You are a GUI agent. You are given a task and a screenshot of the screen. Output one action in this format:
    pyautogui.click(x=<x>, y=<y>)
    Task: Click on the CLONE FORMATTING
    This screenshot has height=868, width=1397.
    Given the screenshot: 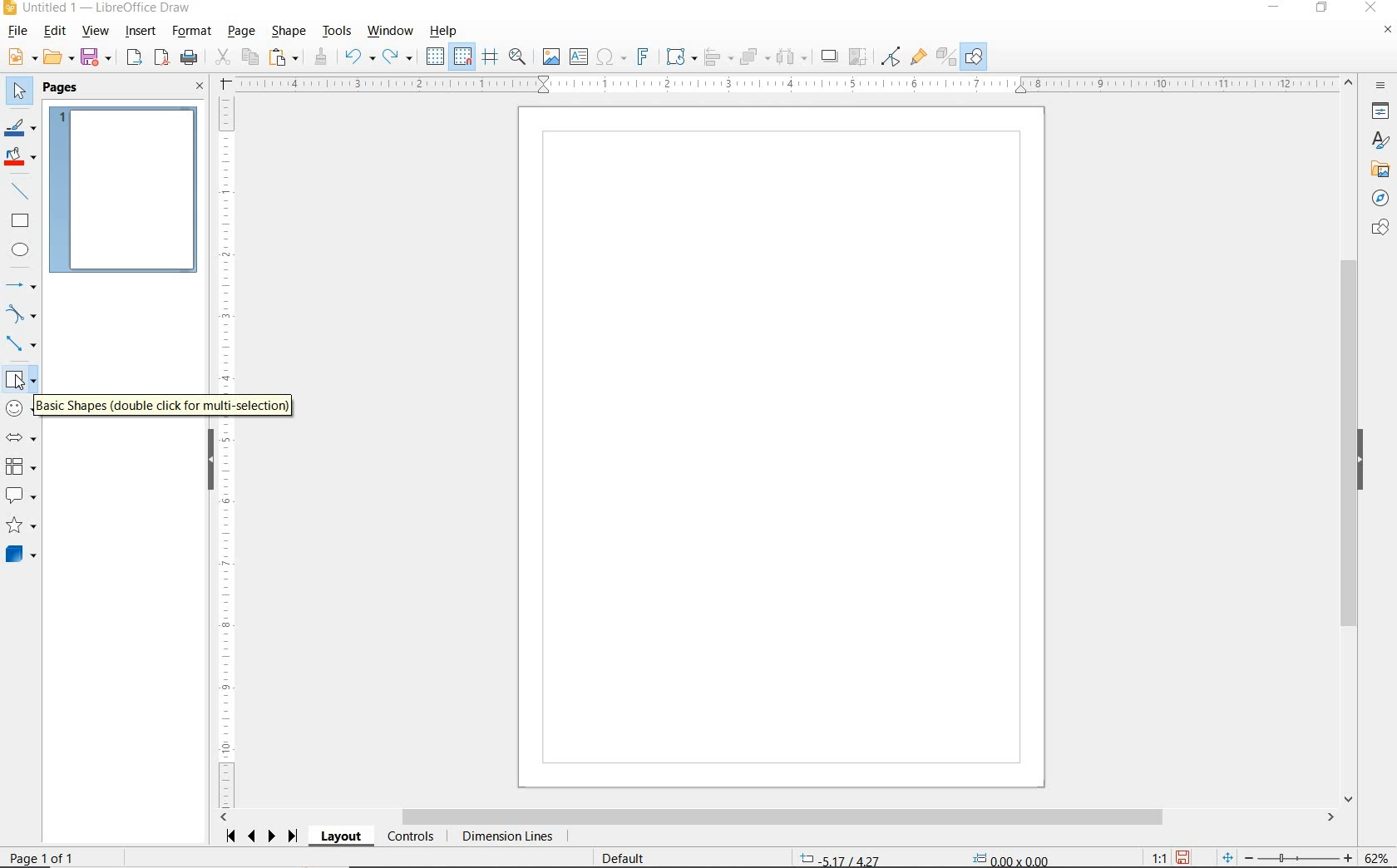 What is the action you would take?
    pyautogui.click(x=320, y=57)
    